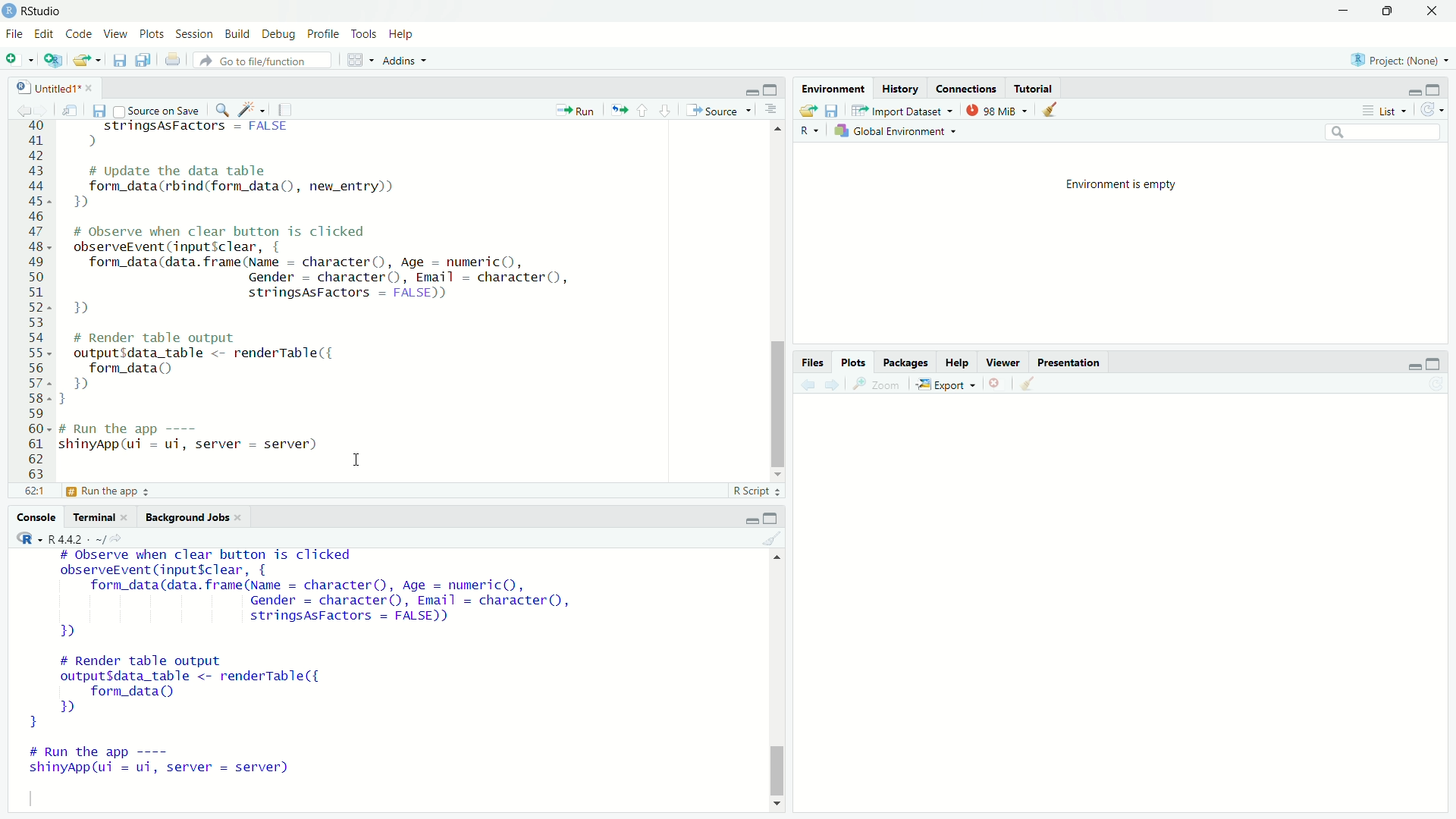 The height and width of the screenshot is (819, 1456). I want to click on packages, so click(907, 362).